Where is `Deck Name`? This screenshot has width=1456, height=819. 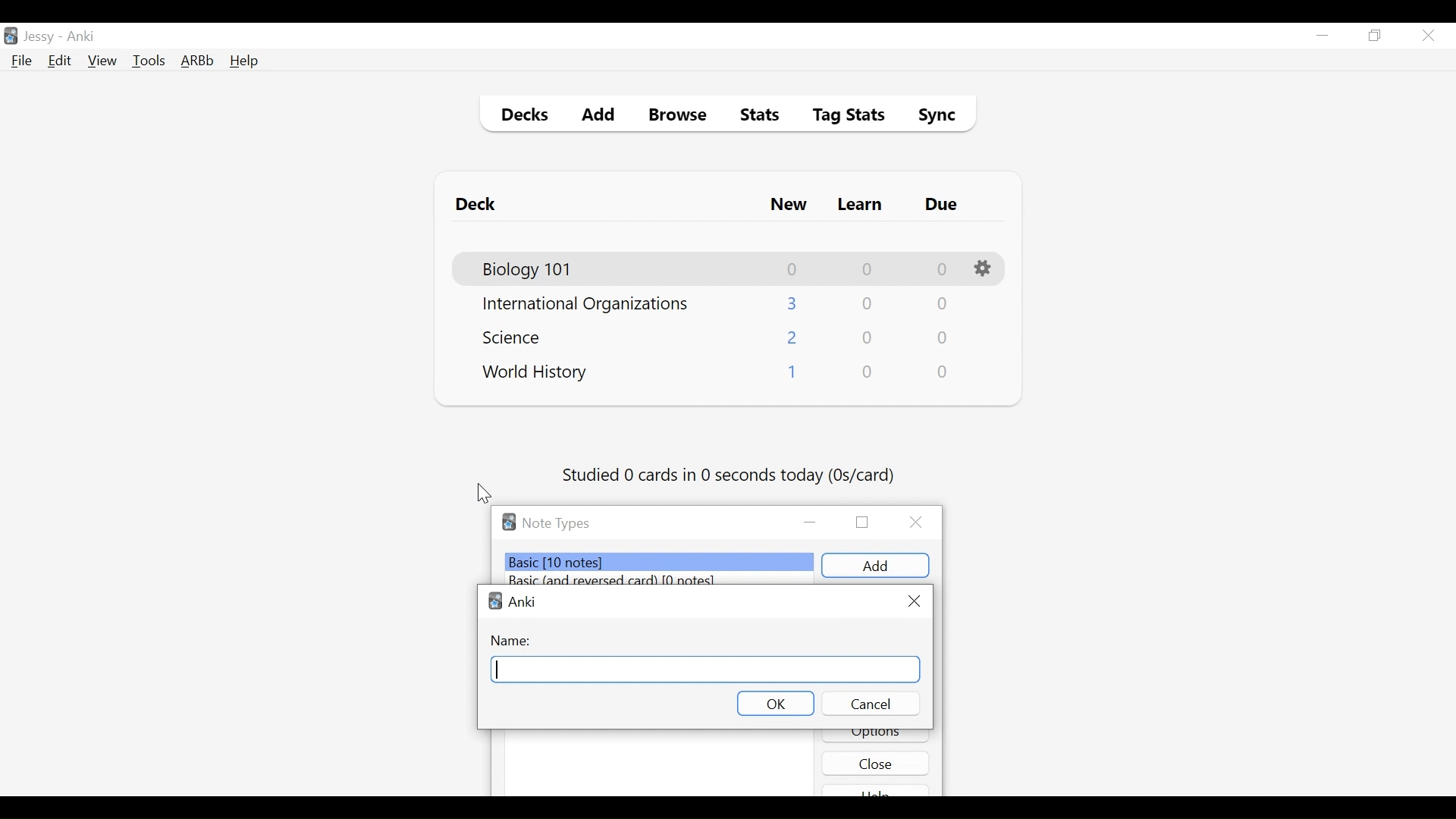
Deck Name is located at coordinates (516, 337).